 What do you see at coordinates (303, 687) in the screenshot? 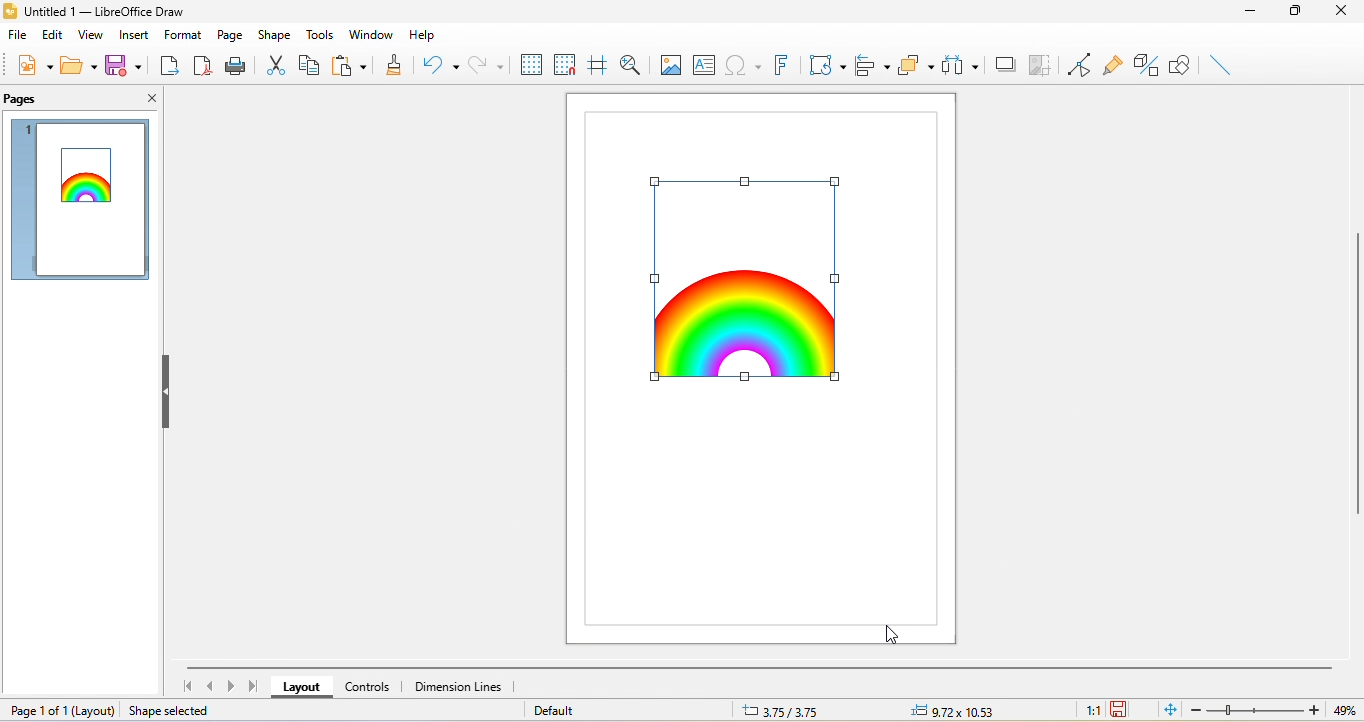
I see `layout` at bounding box center [303, 687].